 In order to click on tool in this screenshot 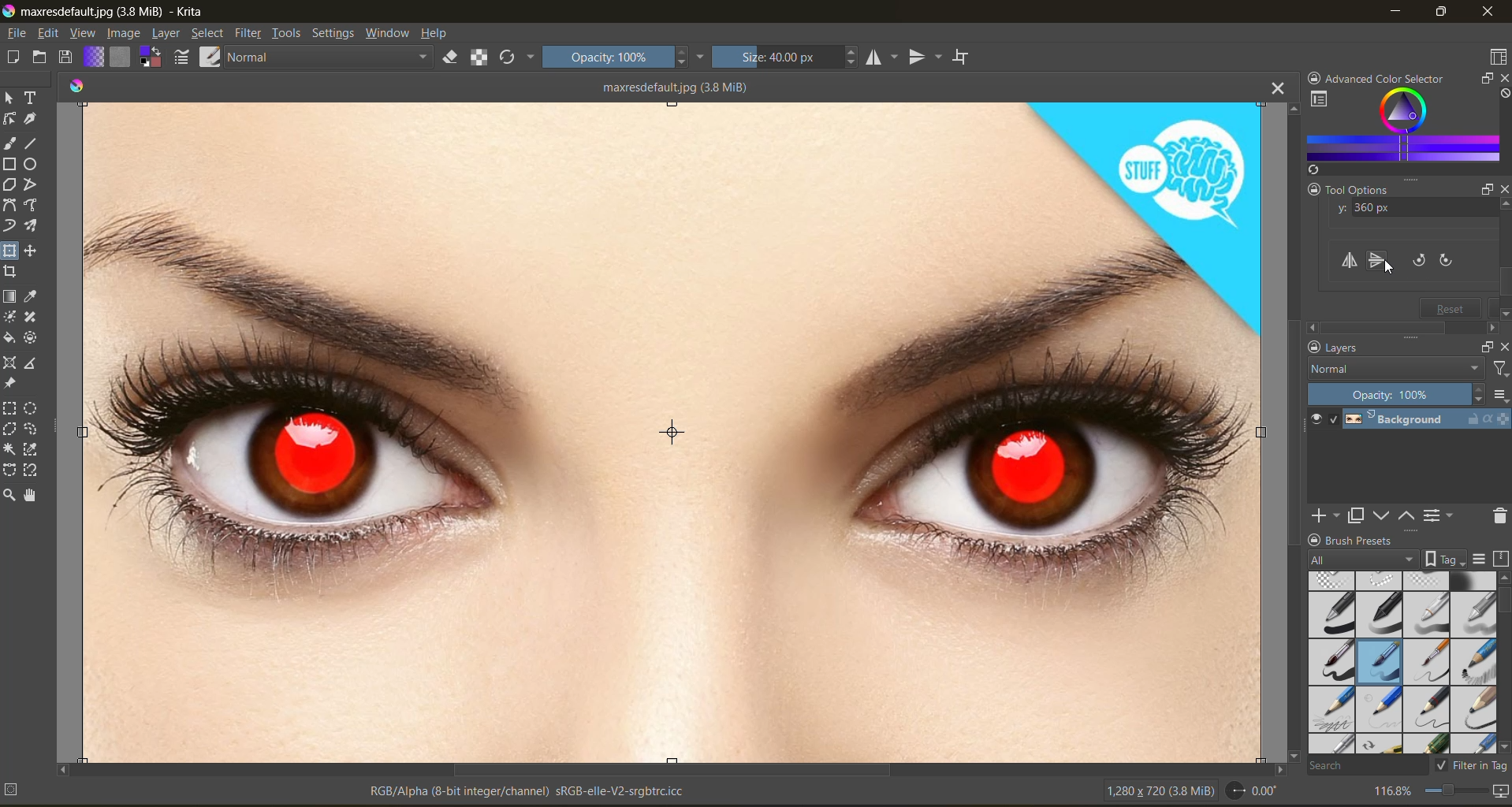, I will do `click(13, 225)`.